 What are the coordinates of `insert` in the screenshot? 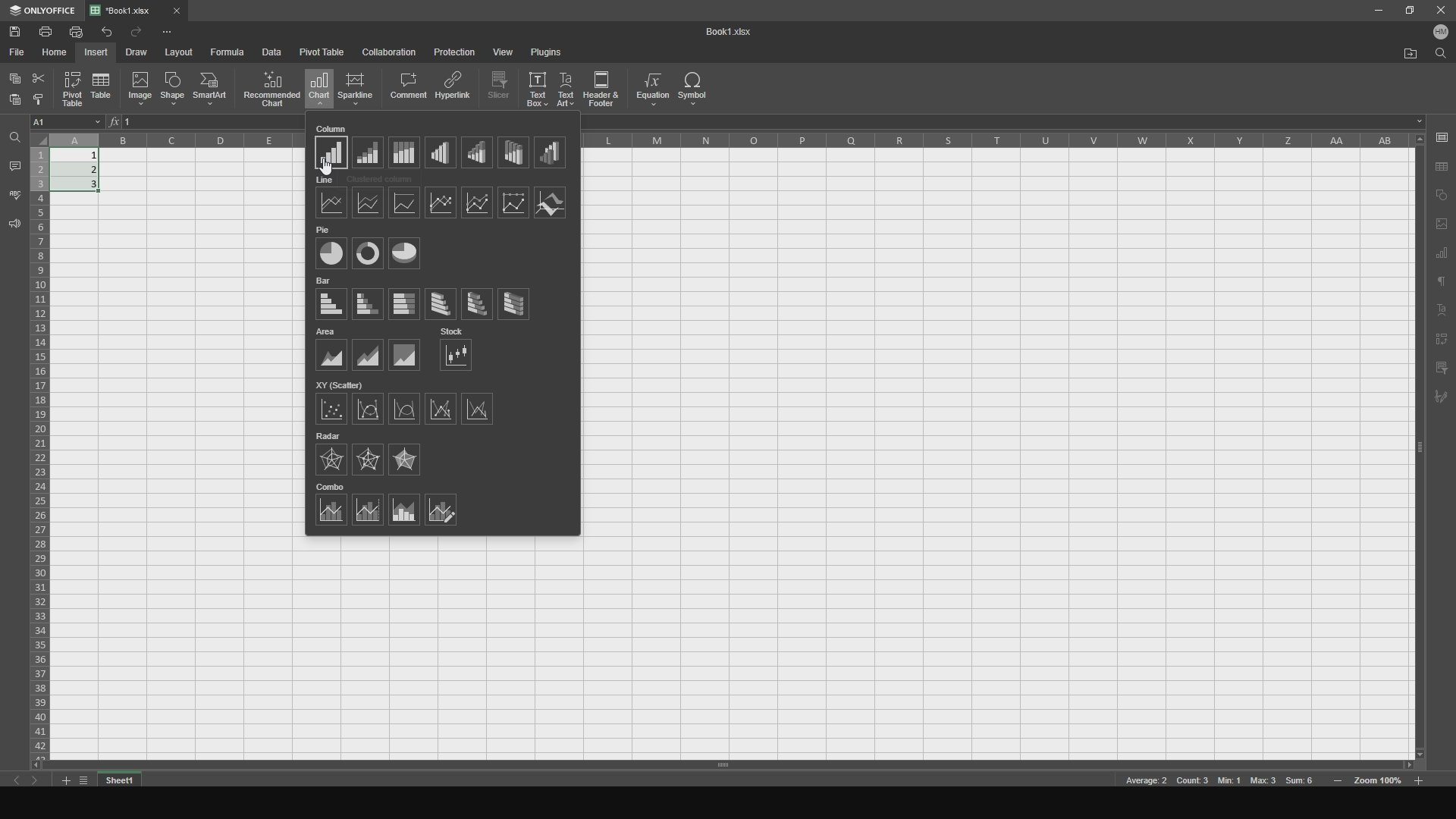 It's located at (96, 52).